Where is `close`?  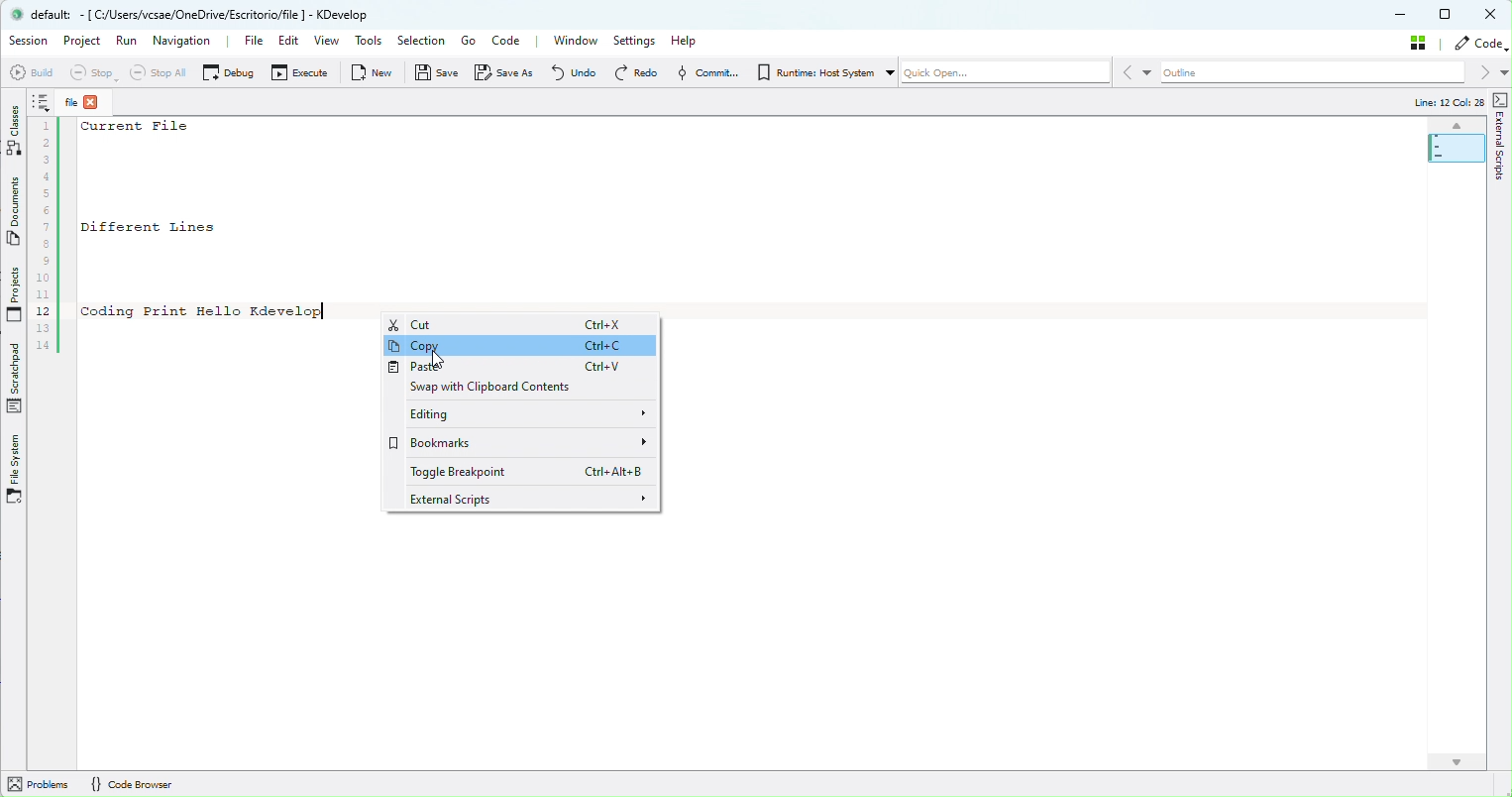
close is located at coordinates (1492, 14).